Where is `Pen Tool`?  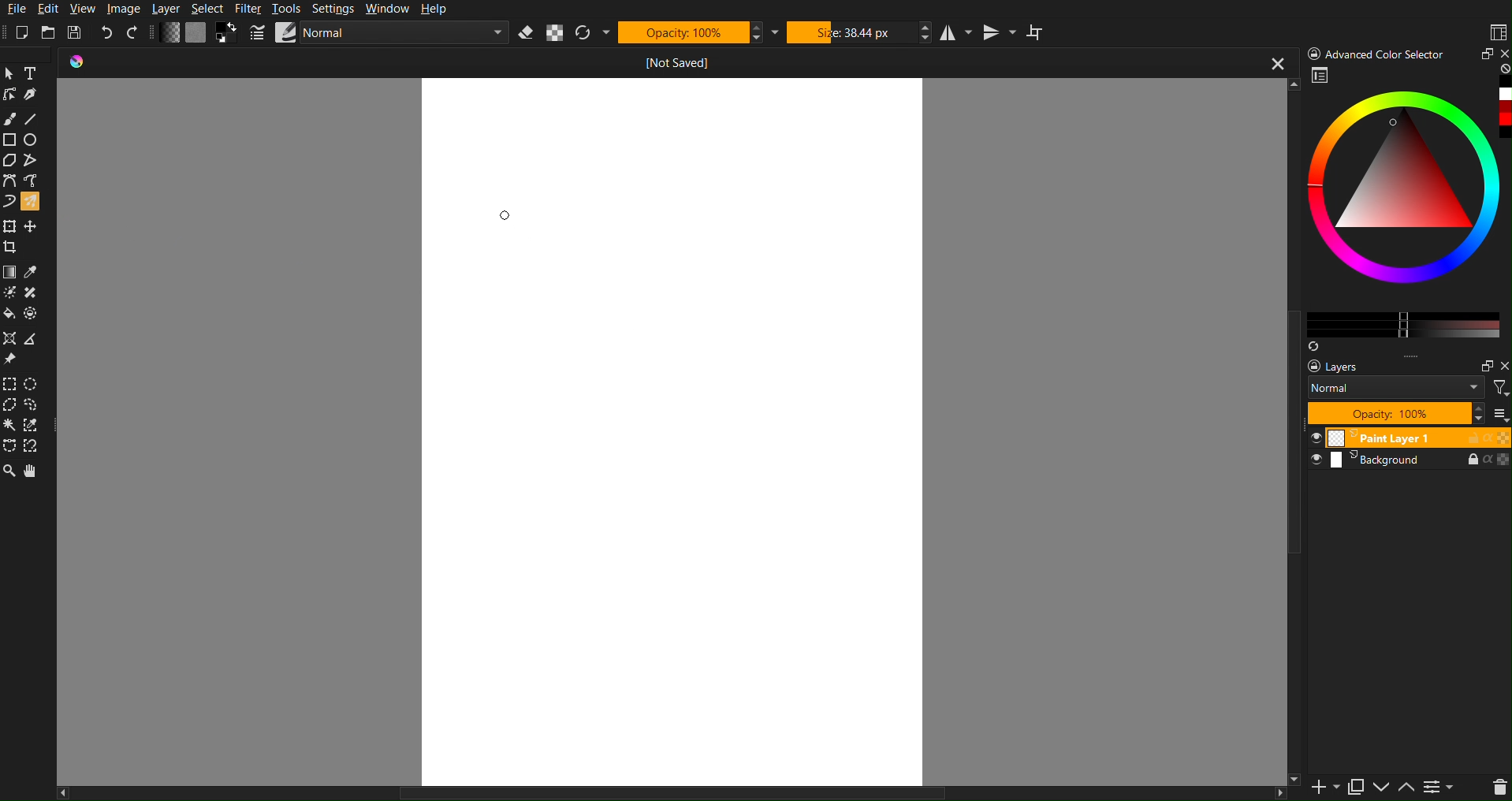 Pen Tool is located at coordinates (35, 95).